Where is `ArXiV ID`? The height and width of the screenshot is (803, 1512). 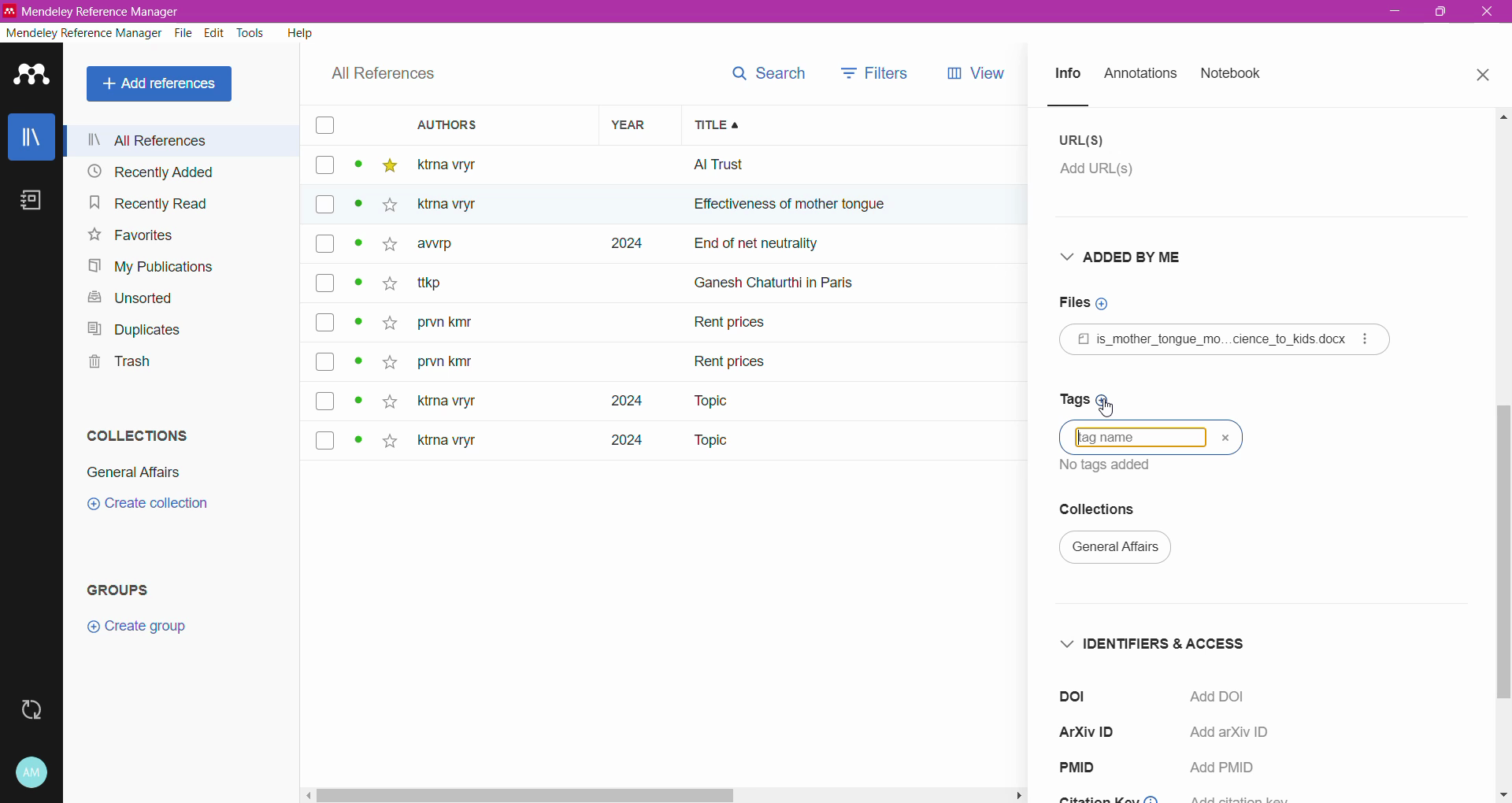
ArXiV ID is located at coordinates (1090, 732).